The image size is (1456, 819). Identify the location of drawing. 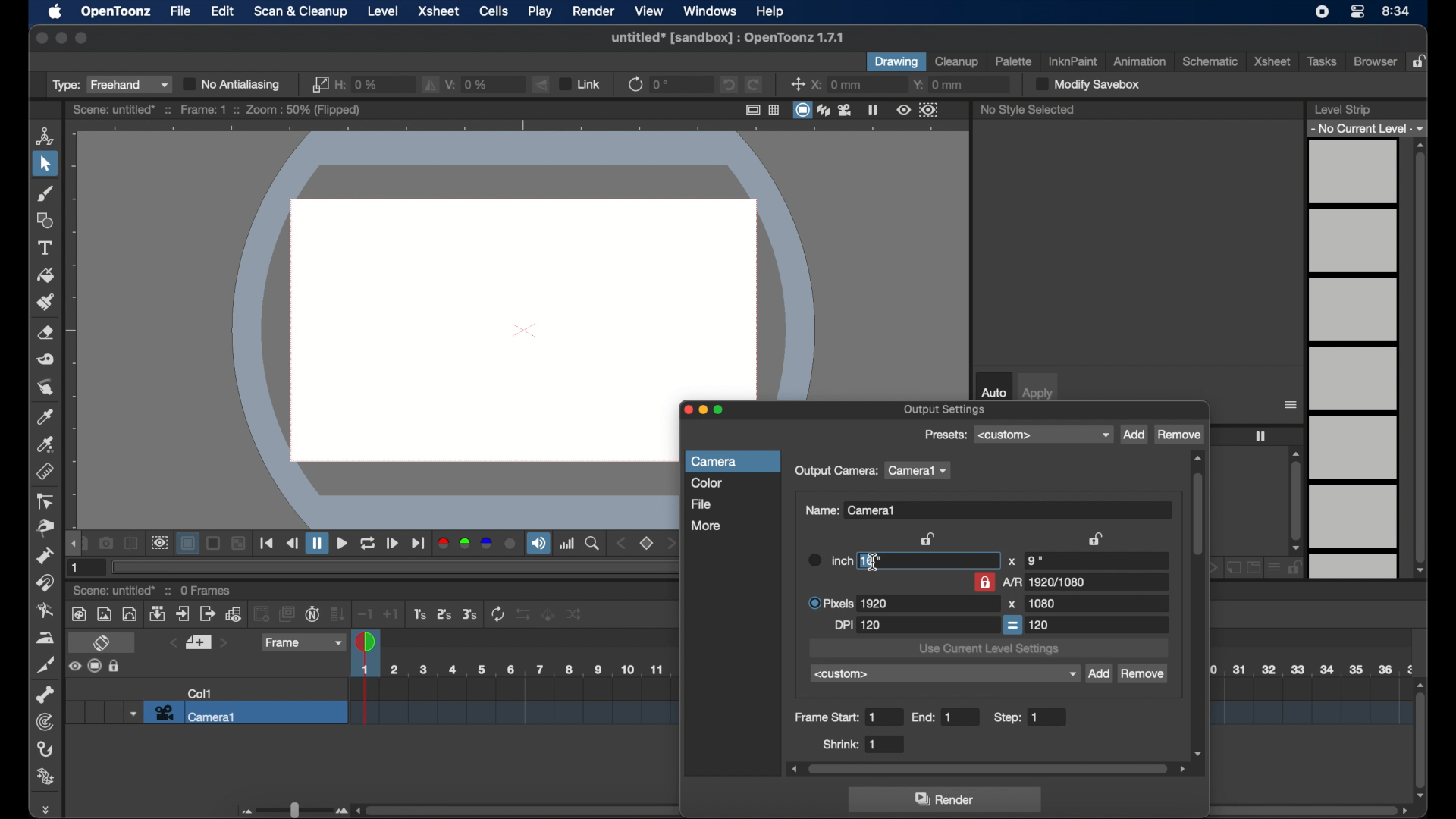
(896, 62).